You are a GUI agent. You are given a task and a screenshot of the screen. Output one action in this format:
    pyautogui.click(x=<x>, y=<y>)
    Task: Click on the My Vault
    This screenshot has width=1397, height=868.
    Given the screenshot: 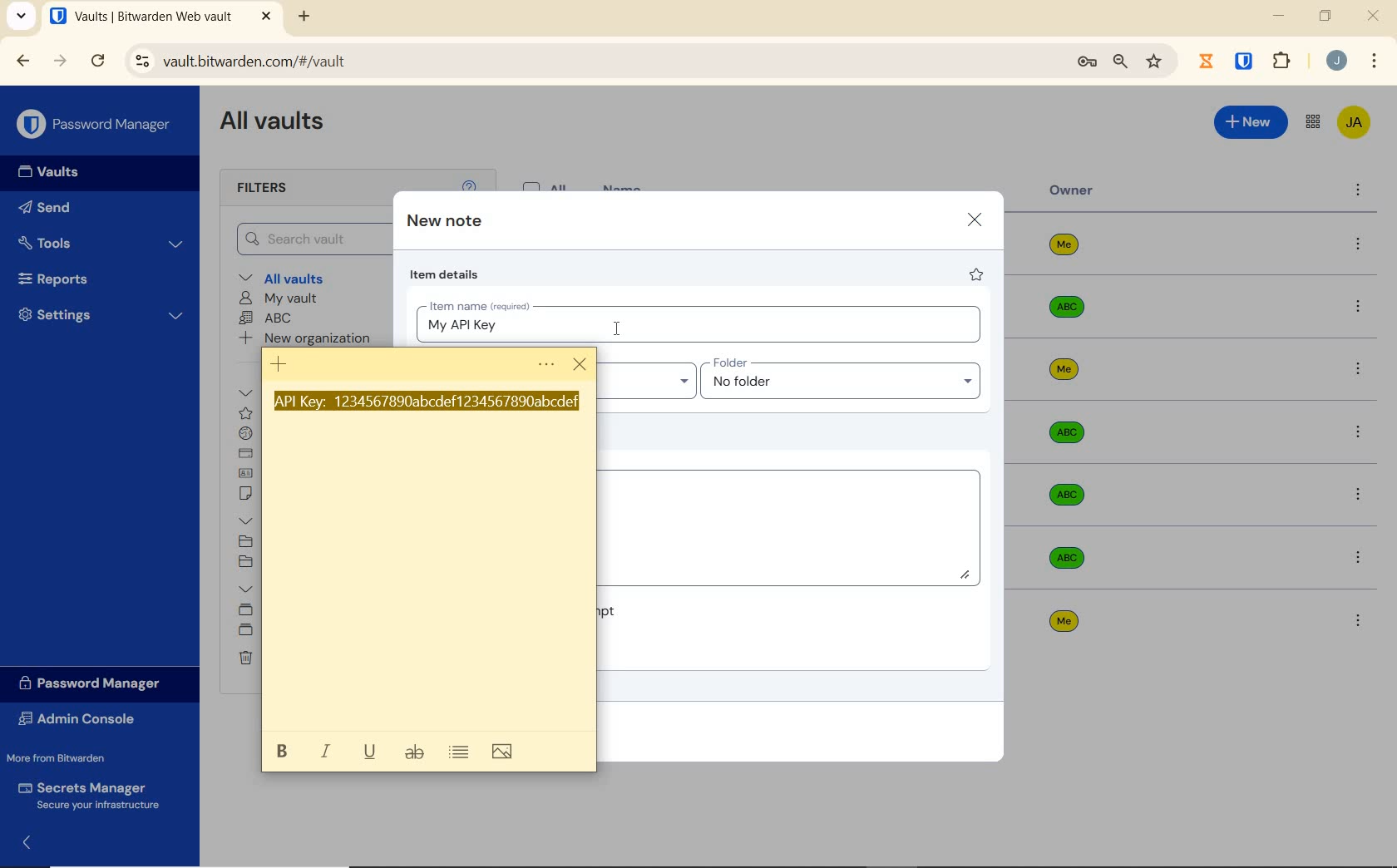 What is the action you would take?
    pyautogui.click(x=280, y=298)
    